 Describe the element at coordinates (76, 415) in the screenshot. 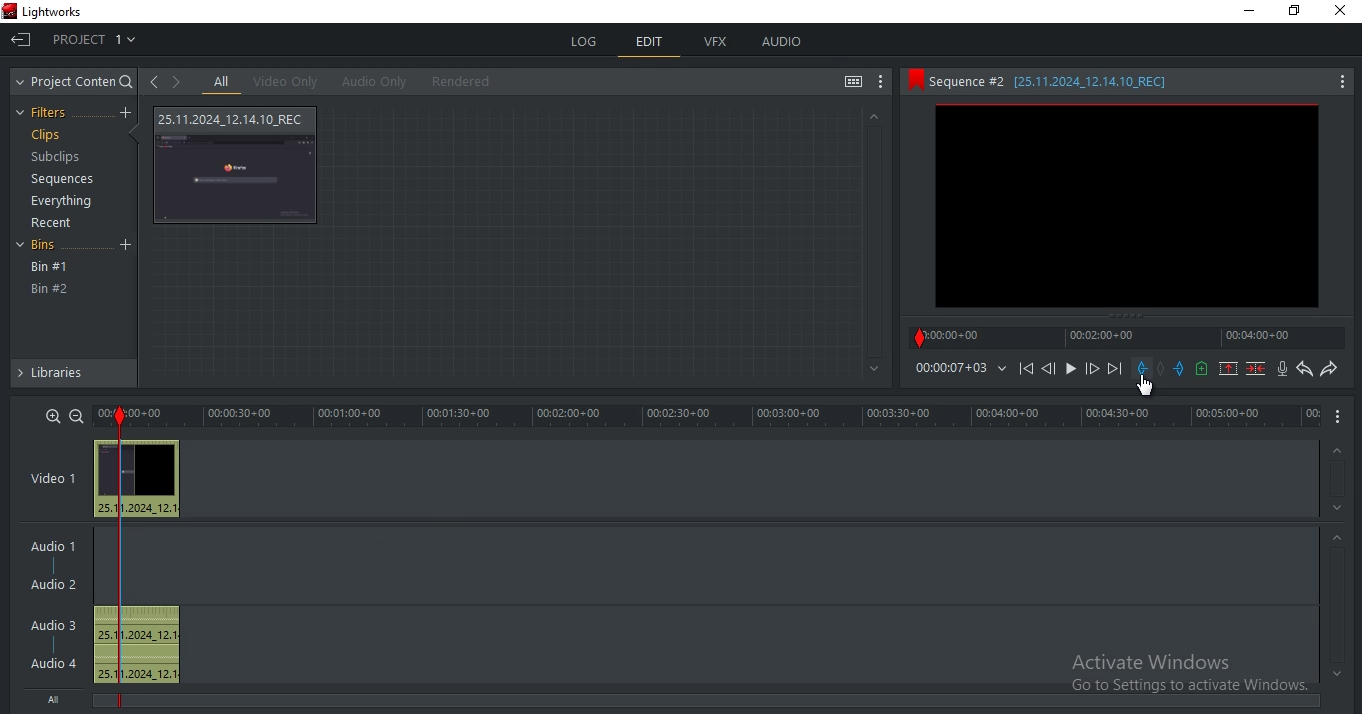

I see `zoom out` at that location.